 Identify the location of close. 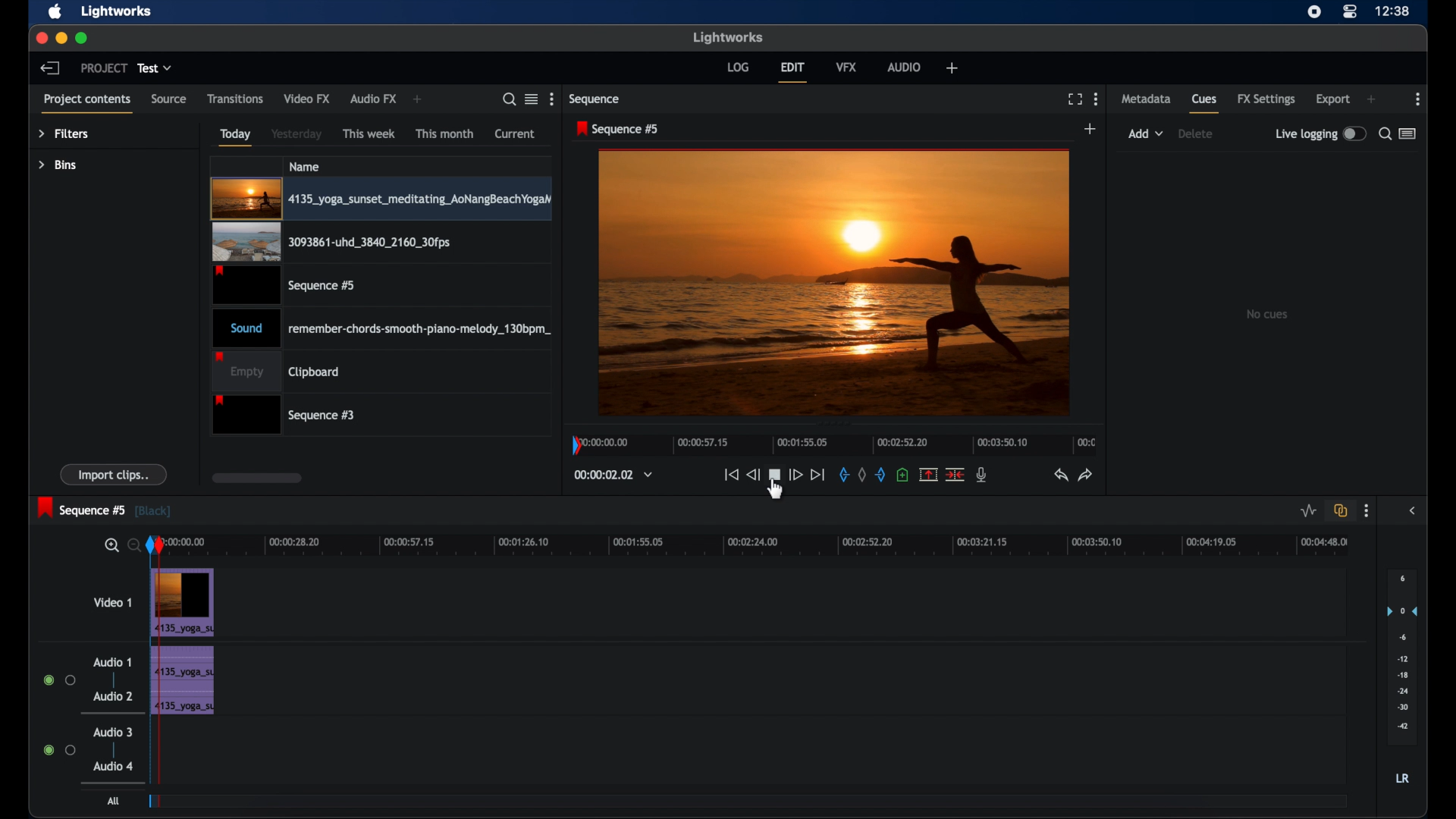
(40, 36).